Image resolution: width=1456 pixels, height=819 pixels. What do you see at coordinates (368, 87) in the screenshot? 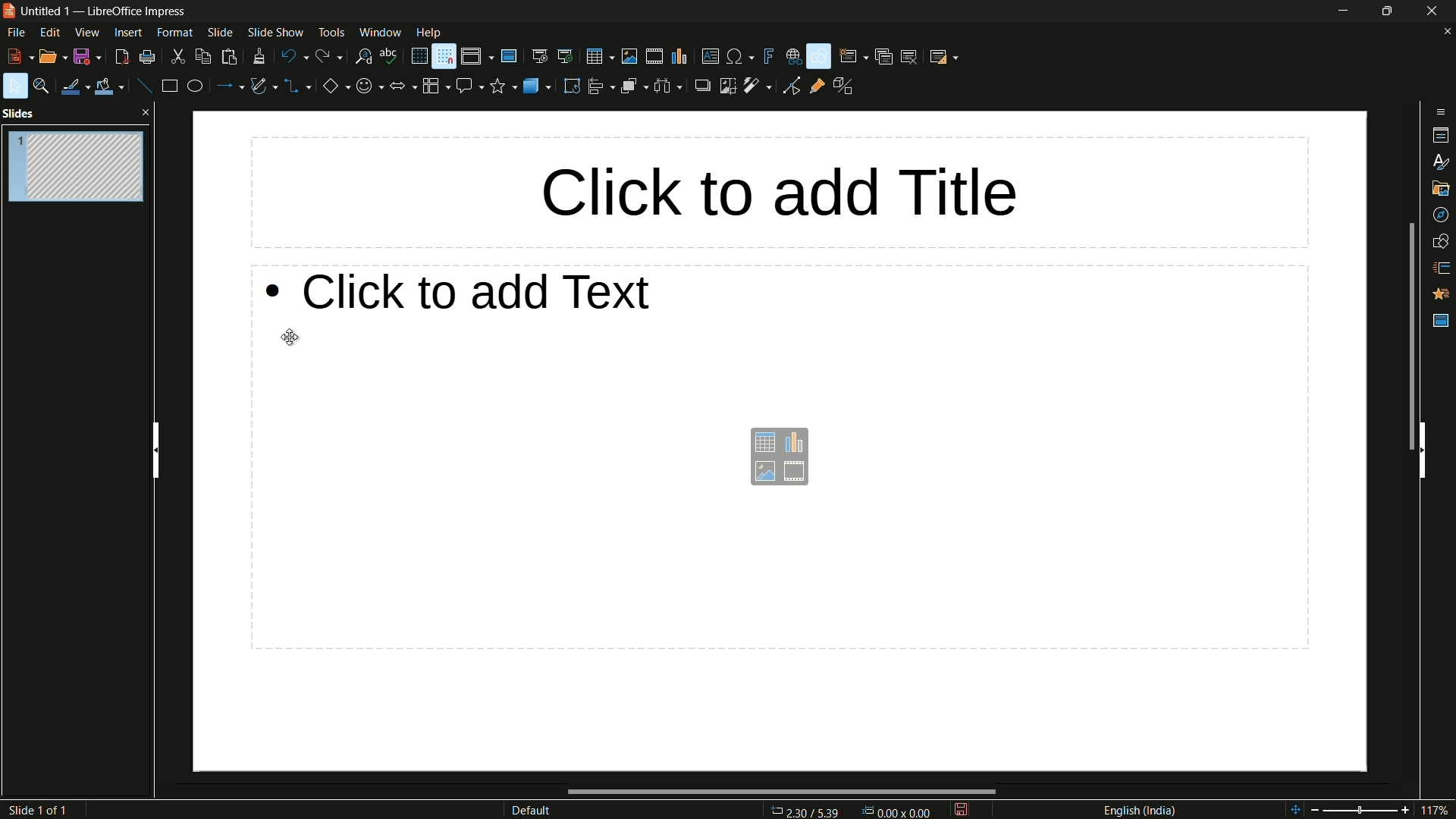
I see `symbol shapes` at bounding box center [368, 87].